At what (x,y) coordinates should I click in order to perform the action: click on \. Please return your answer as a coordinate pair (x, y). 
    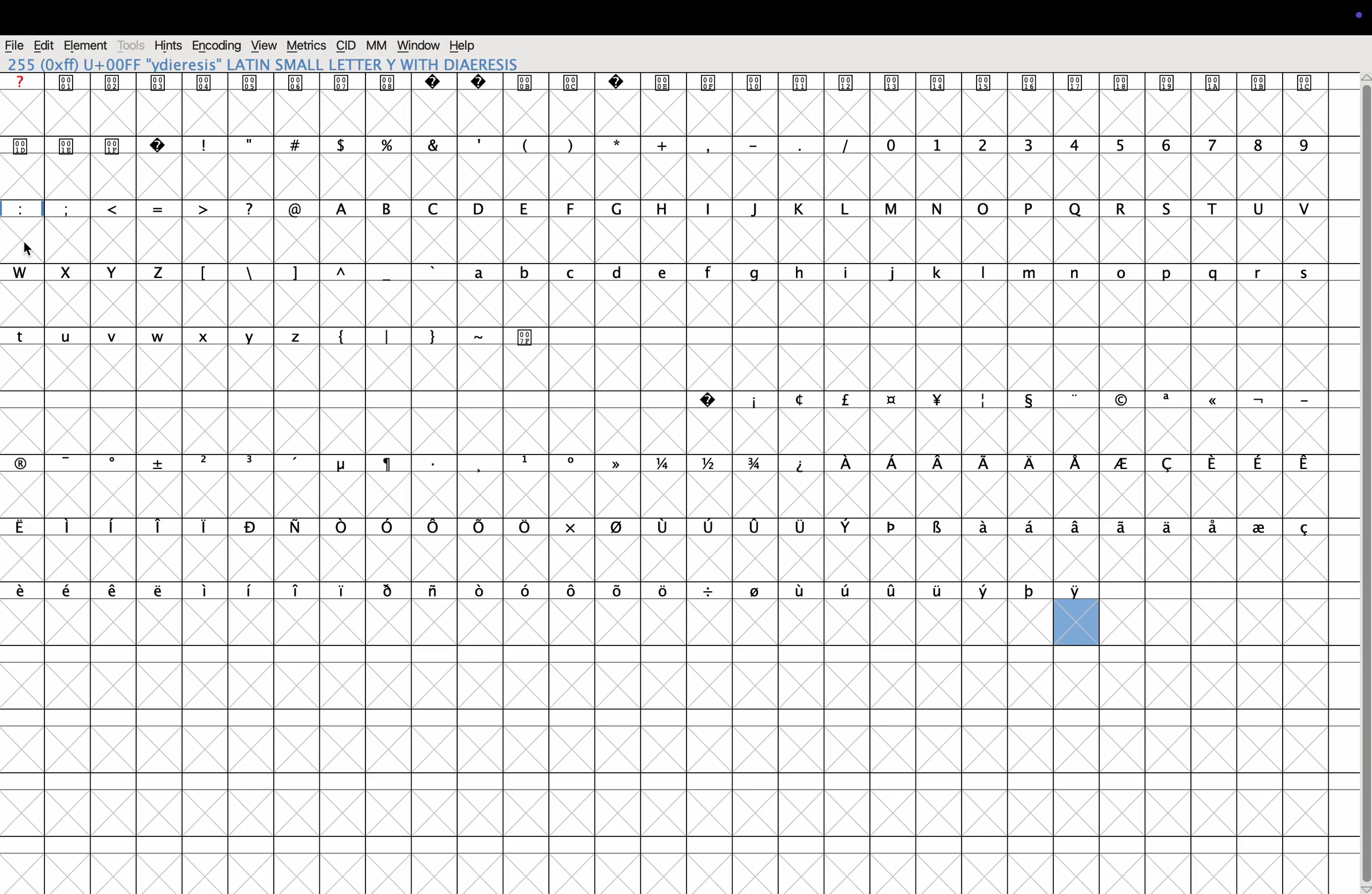
    Looking at the image, I should click on (251, 290).